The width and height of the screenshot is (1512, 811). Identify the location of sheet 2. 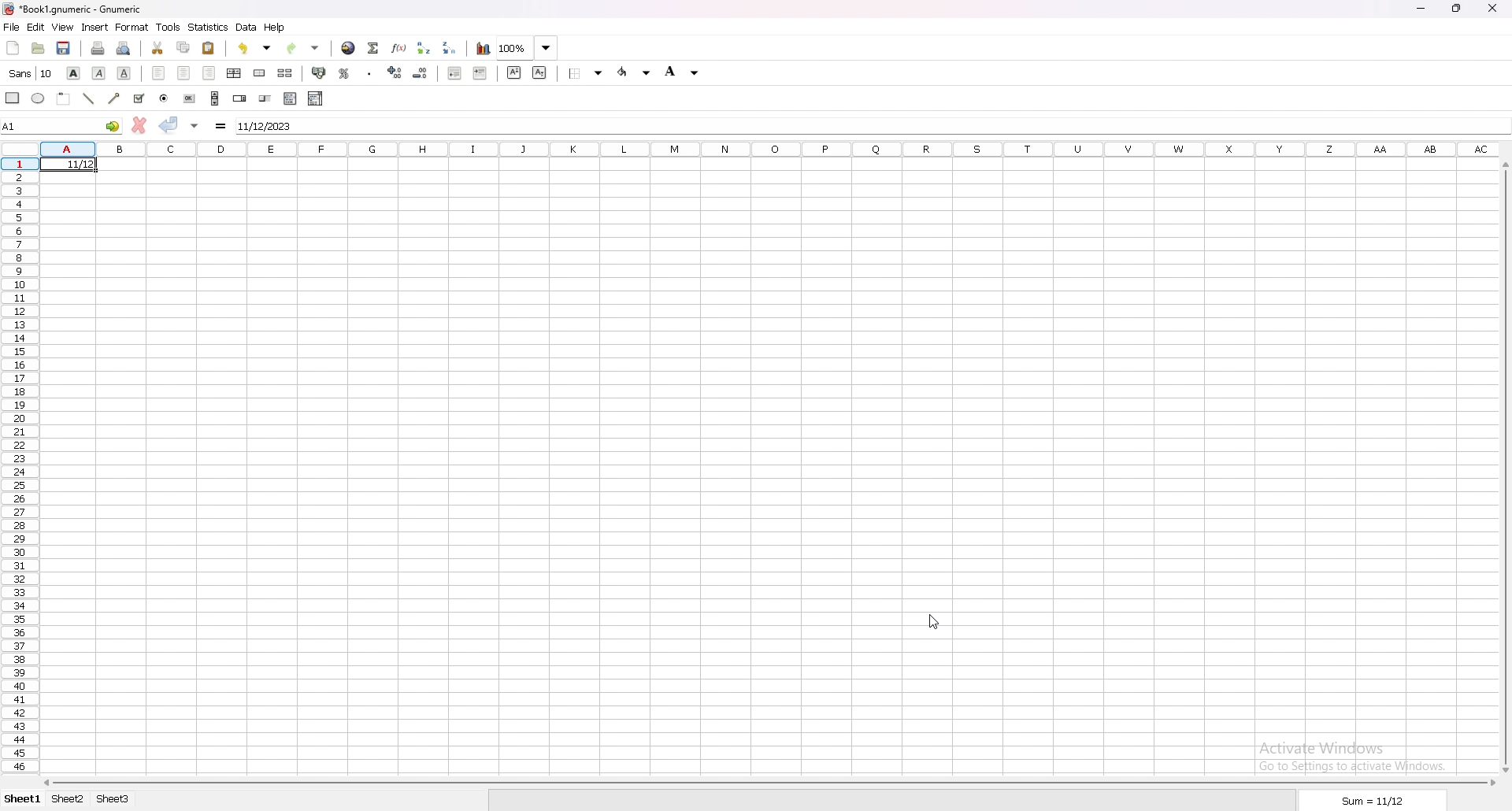
(67, 799).